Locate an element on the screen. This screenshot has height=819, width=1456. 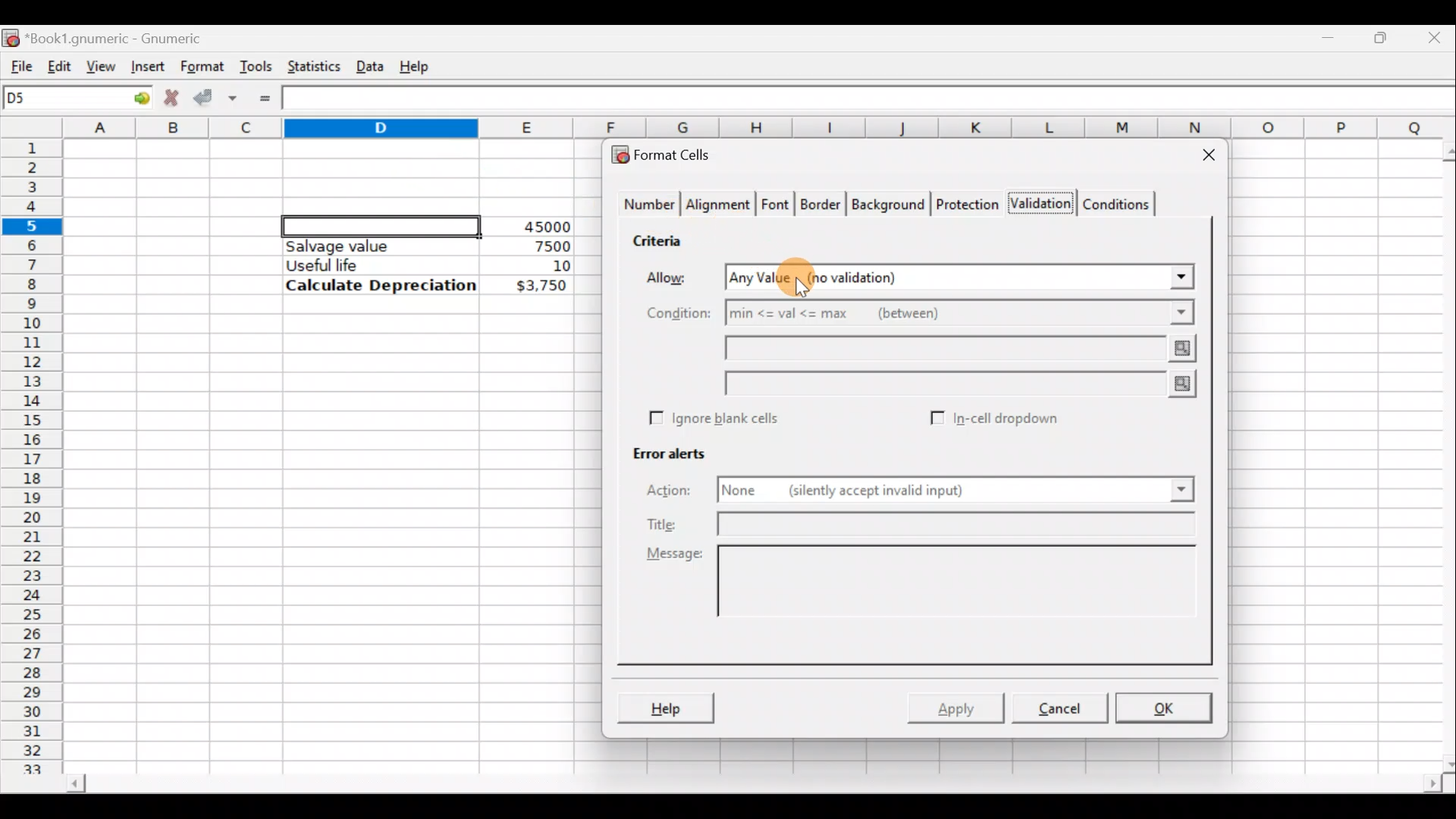
Cell name D5 is located at coordinates (59, 99).